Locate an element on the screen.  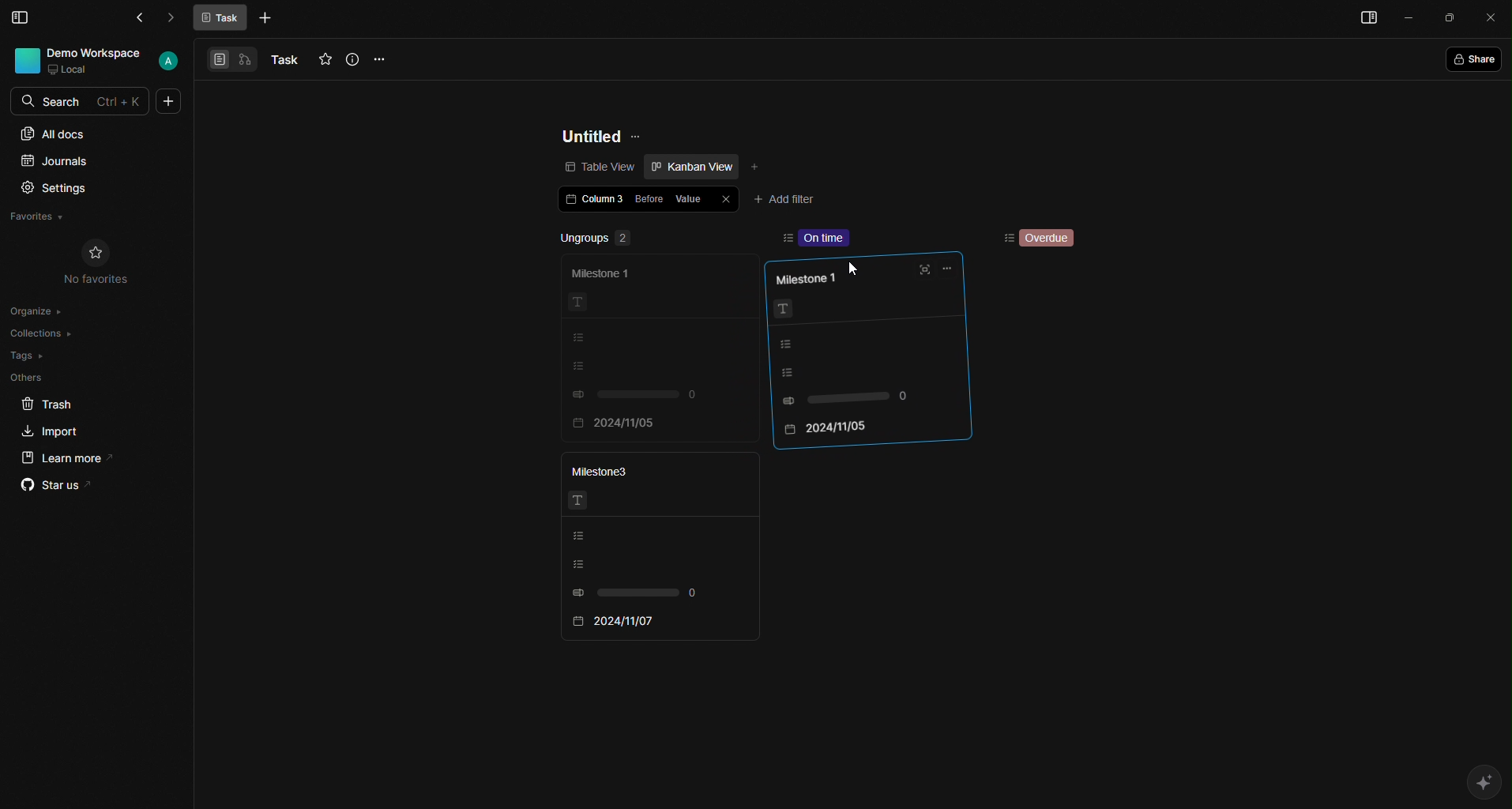
More is located at coordinates (265, 20).